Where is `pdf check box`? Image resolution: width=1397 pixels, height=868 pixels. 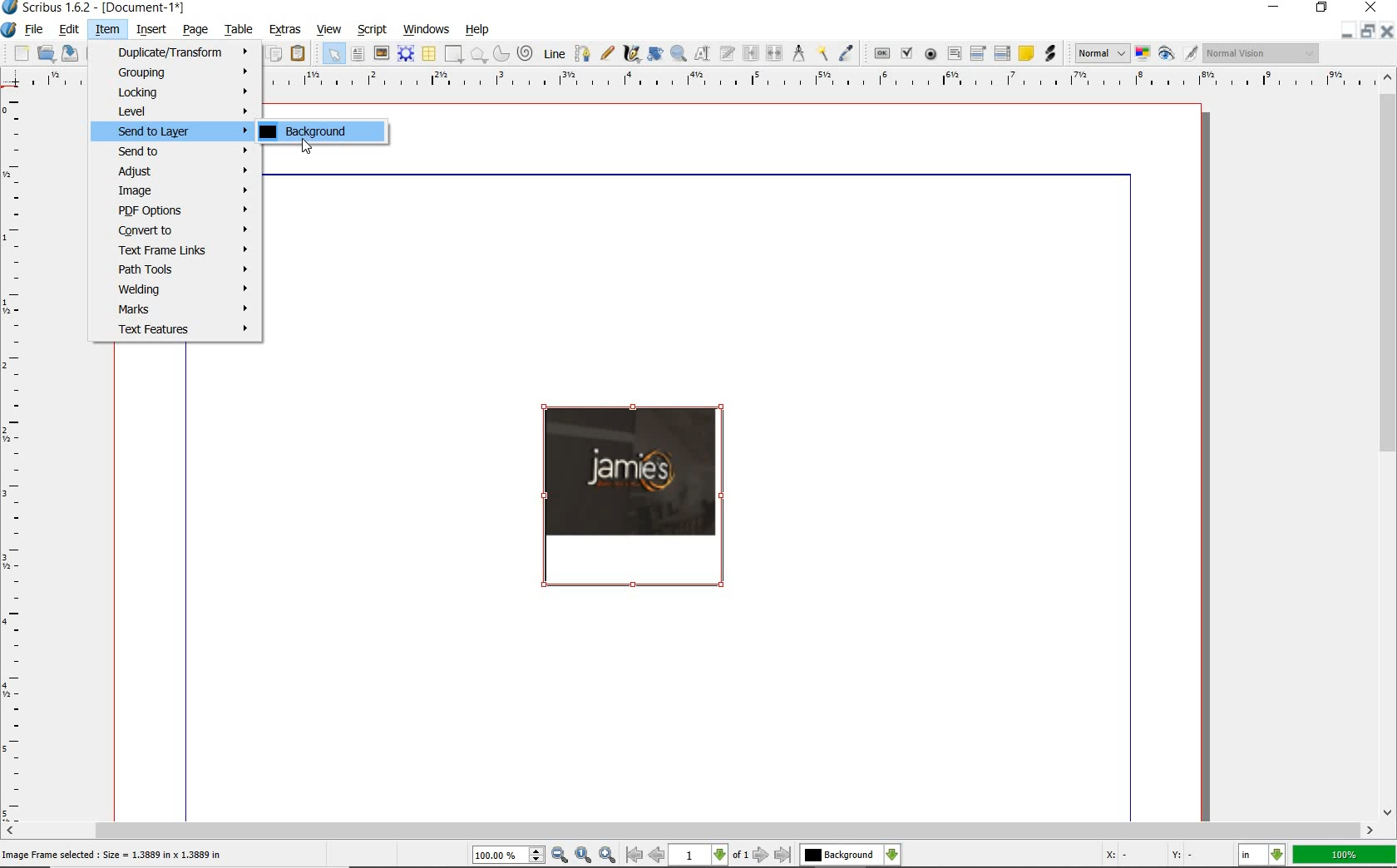 pdf check box is located at coordinates (906, 54).